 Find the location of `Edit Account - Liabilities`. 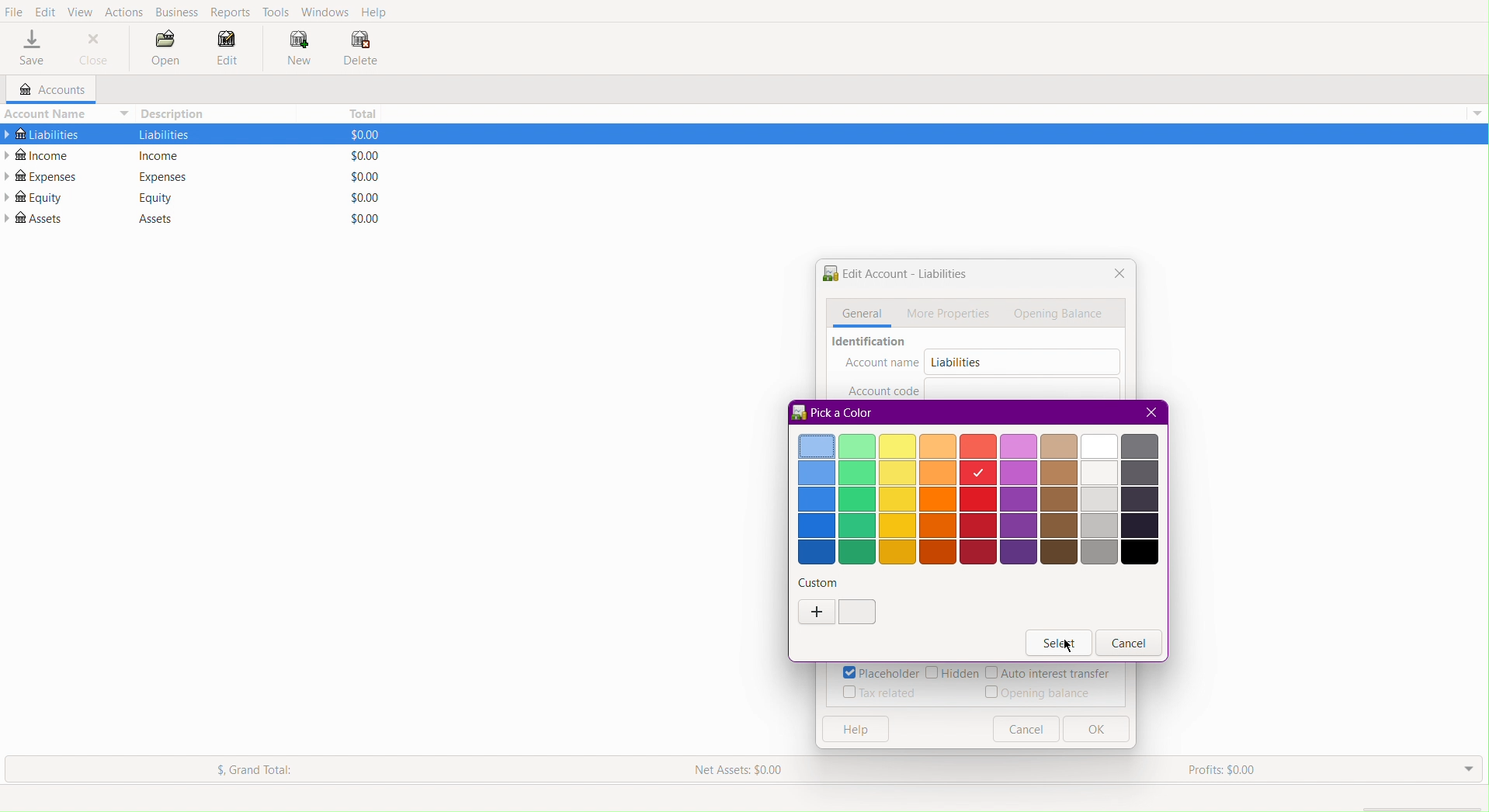

Edit Account - Liabilities is located at coordinates (894, 276).